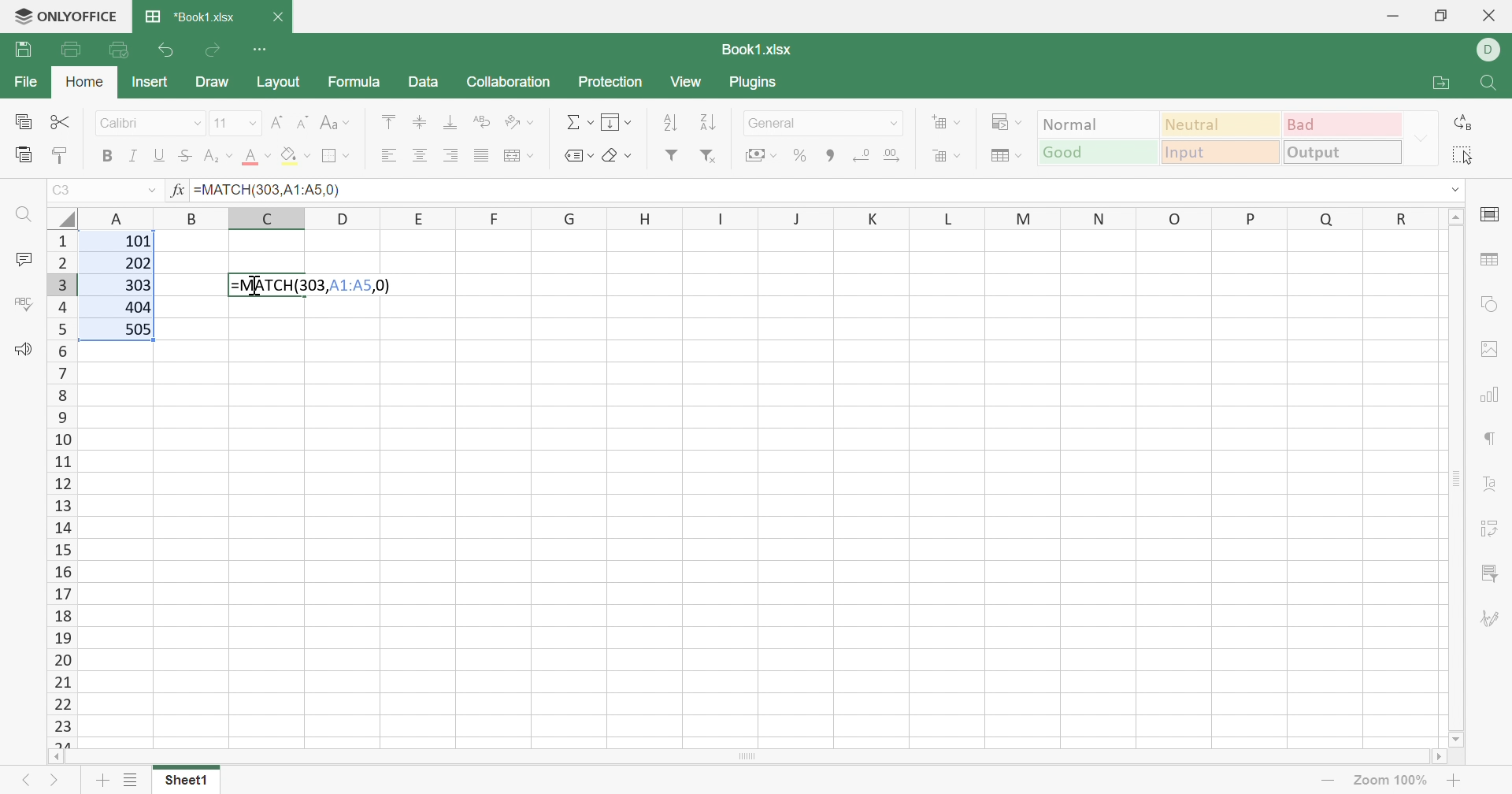  What do you see at coordinates (21, 155) in the screenshot?
I see `Paste` at bounding box center [21, 155].